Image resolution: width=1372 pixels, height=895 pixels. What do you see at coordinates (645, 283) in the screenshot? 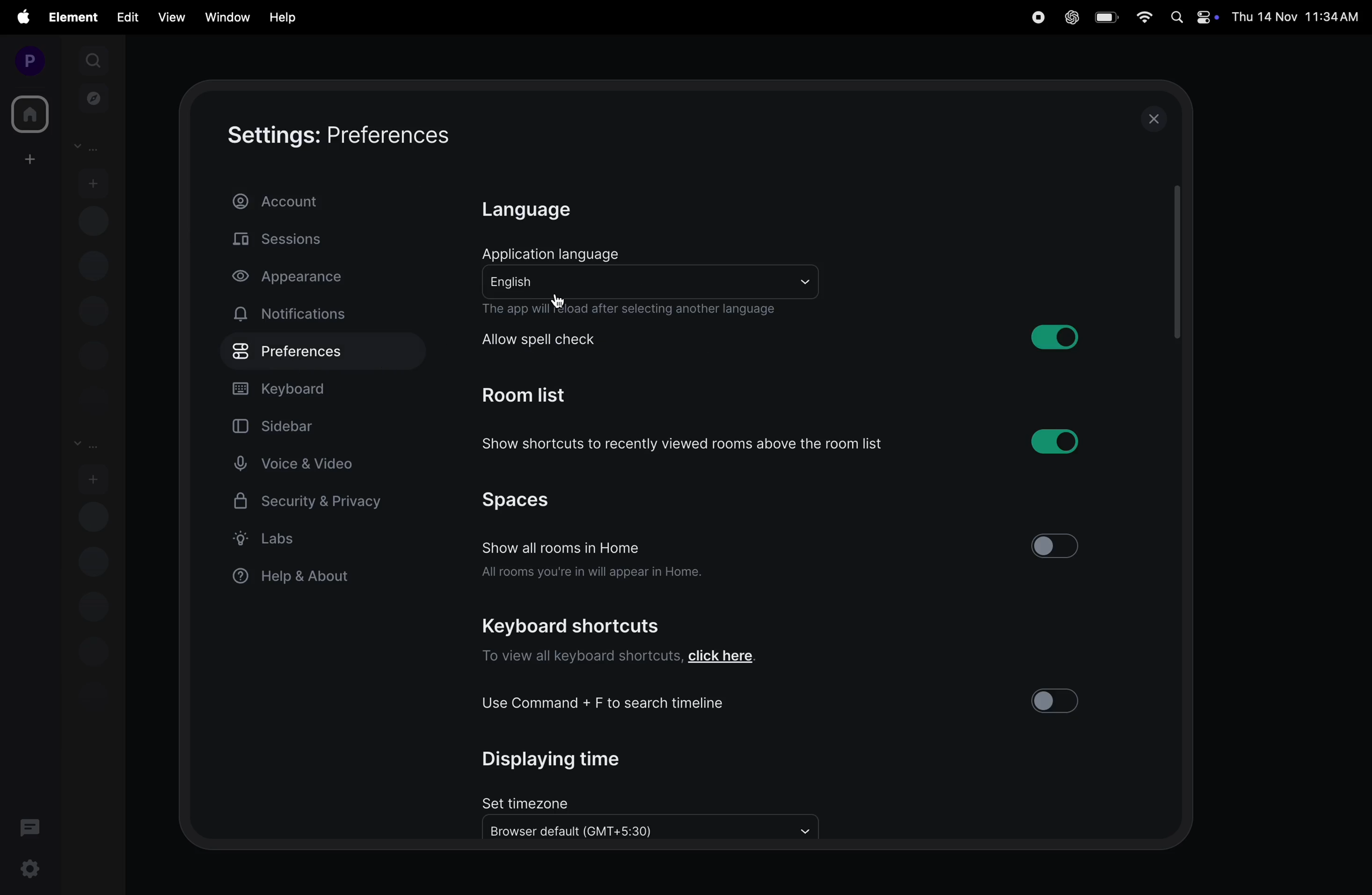
I see `english` at bounding box center [645, 283].